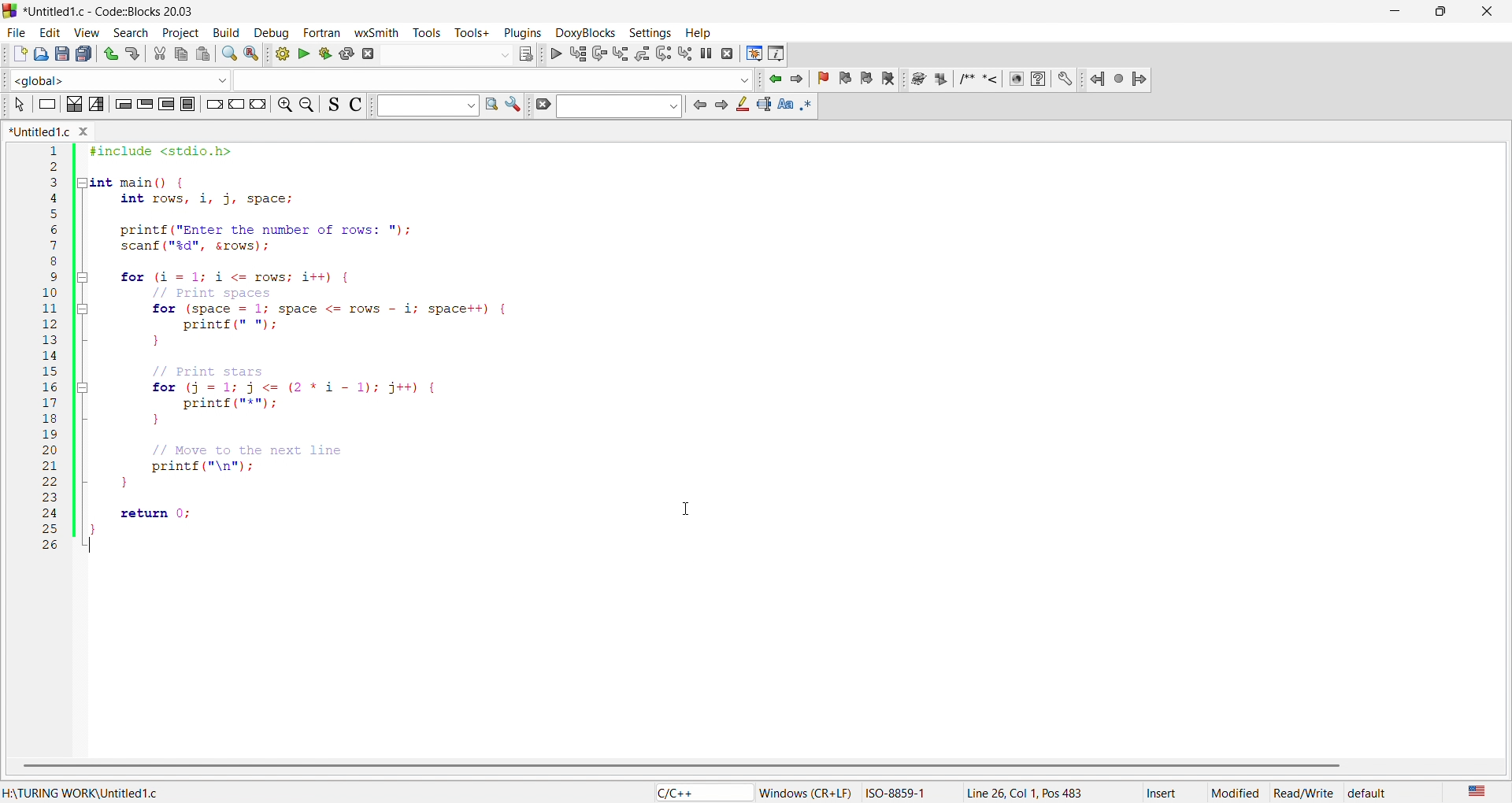 This screenshot has height=803, width=1512. I want to click on input box, so click(422, 109).